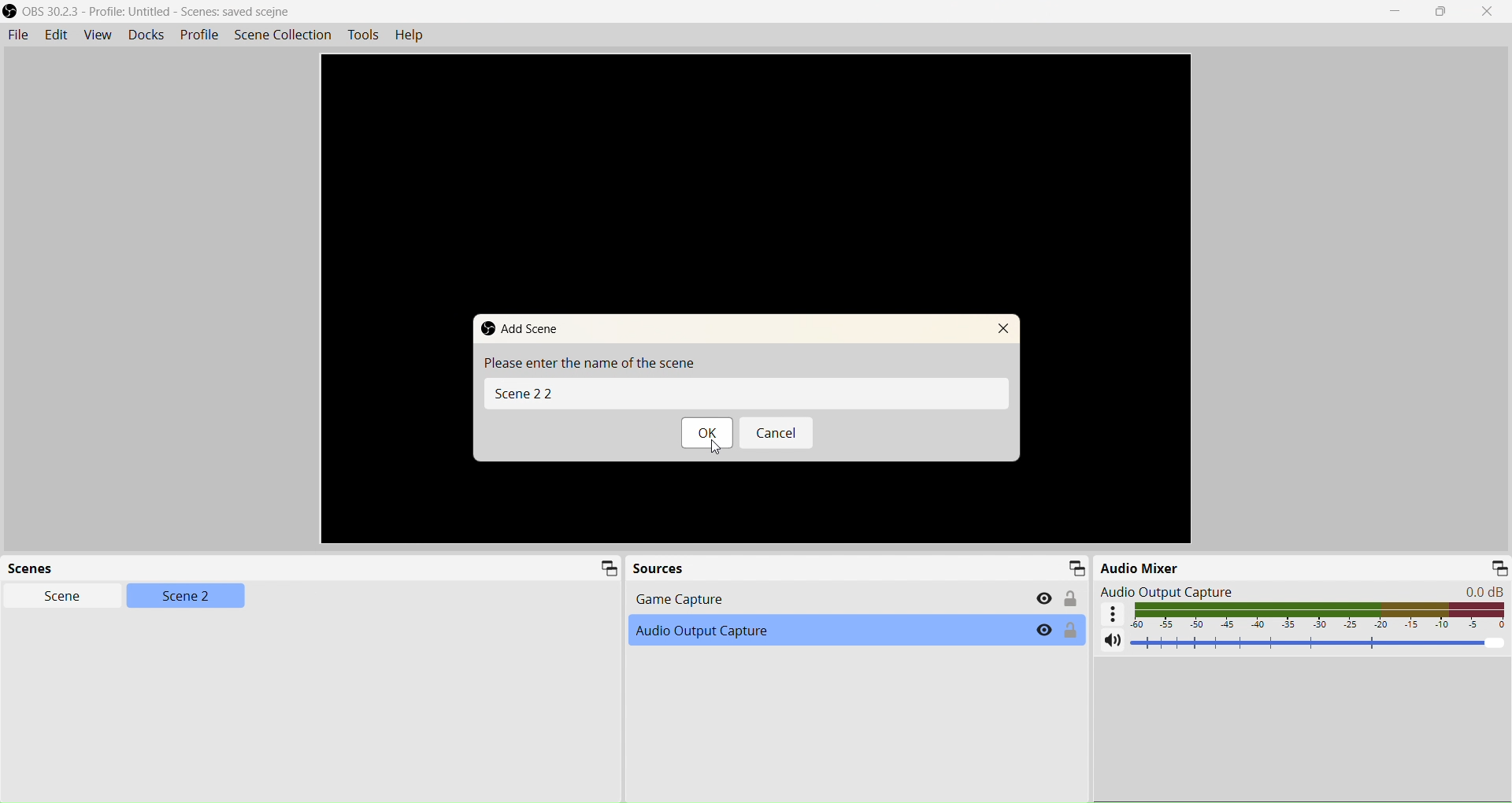  What do you see at coordinates (1070, 598) in the screenshot?
I see `Lock` at bounding box center [1070, 598].